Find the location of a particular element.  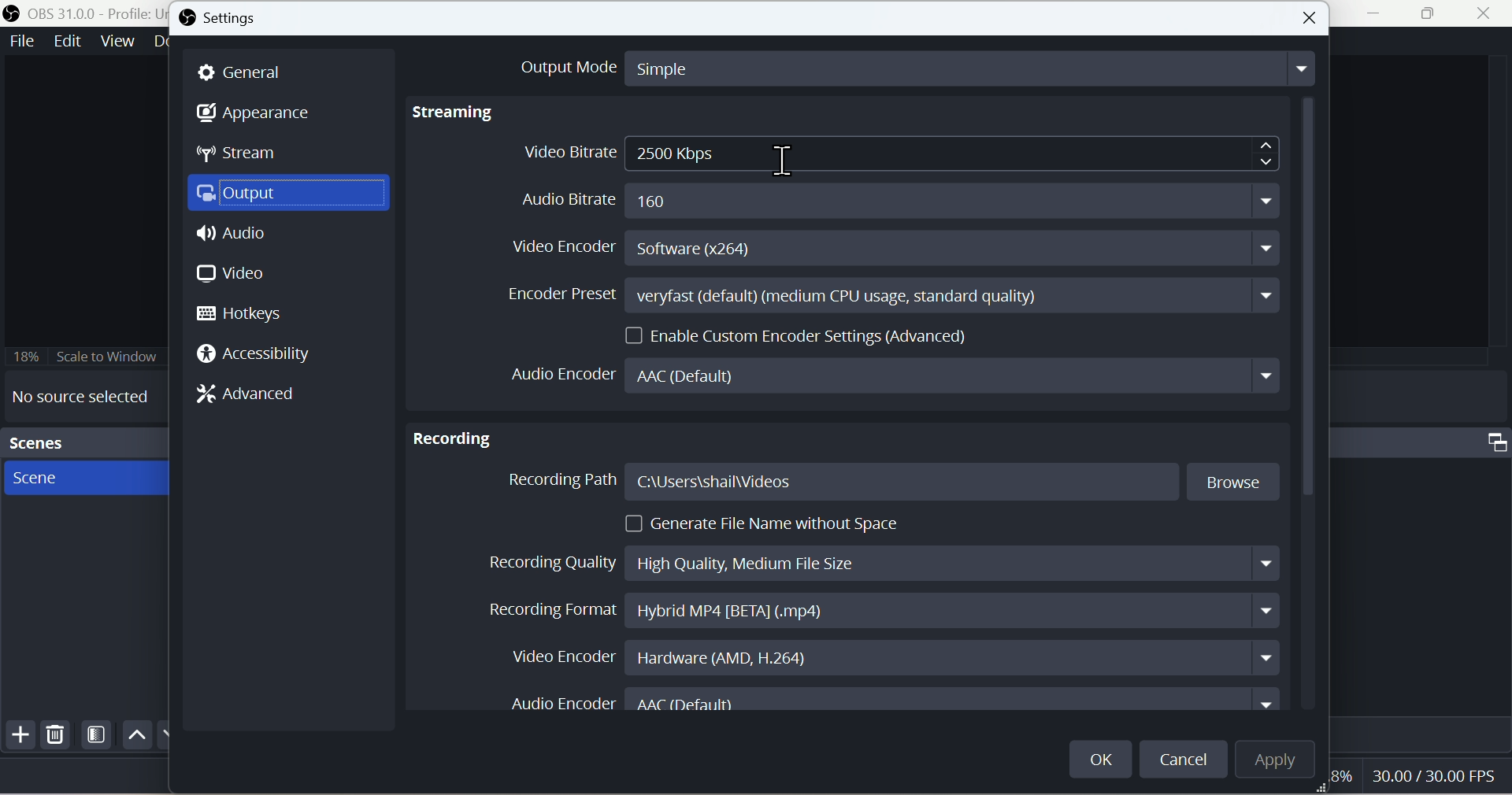

Edit is located at coordinates (66, 43).